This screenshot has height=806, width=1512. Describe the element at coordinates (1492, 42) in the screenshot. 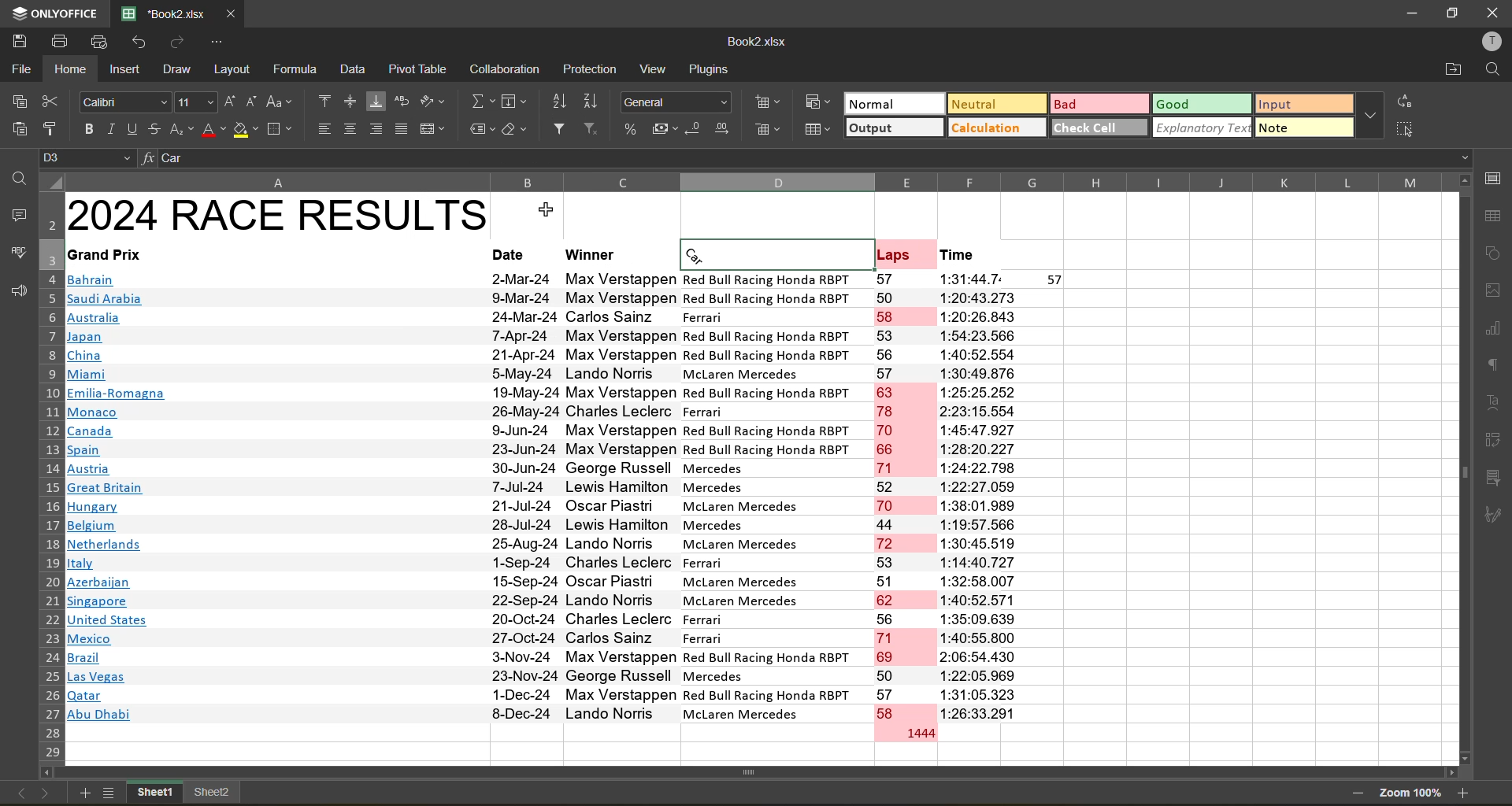

I see `profile` at that location.